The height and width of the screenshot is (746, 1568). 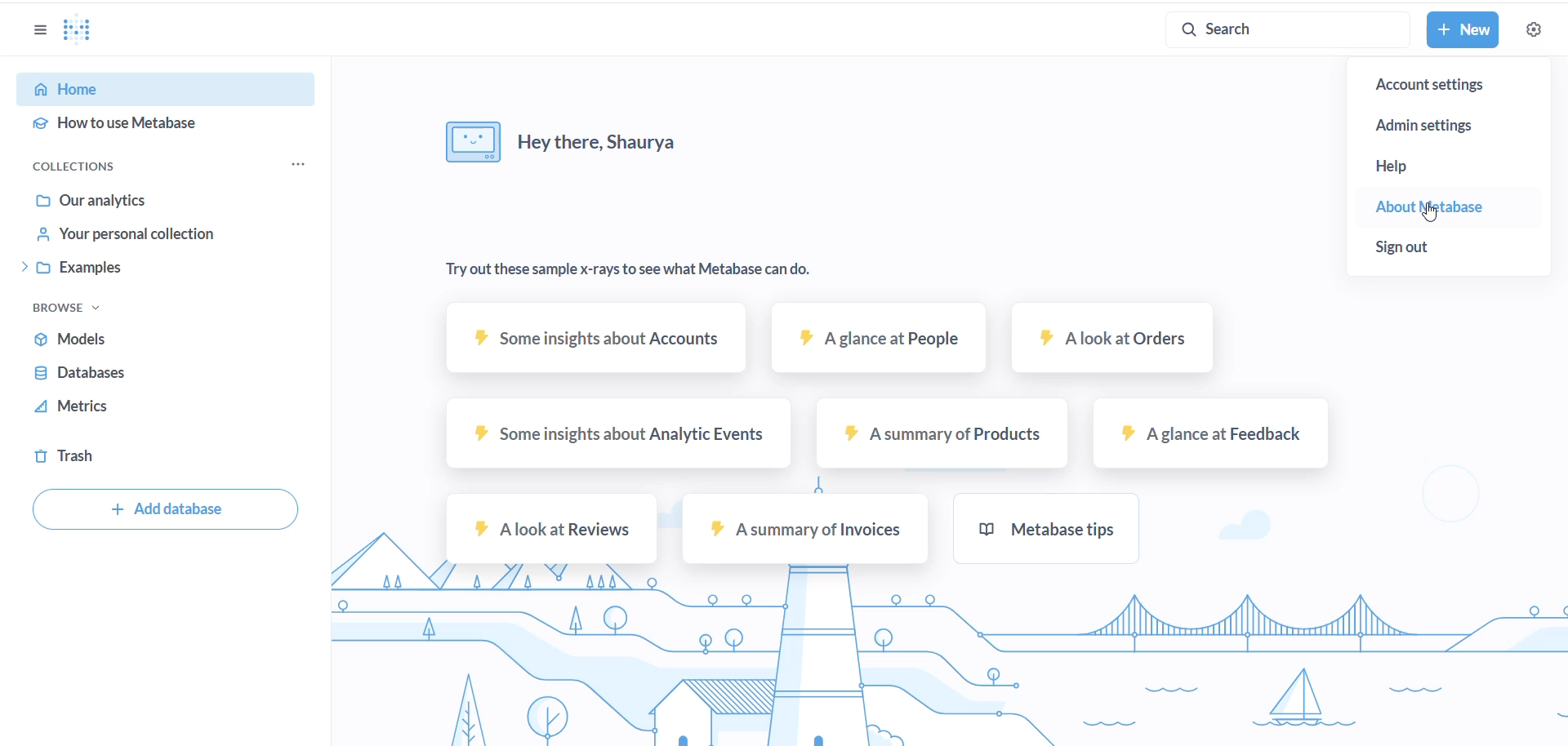 What do you see at coordinates (99, 167) in the screenshot?
I see `collections` at bounding box center [99, 167].